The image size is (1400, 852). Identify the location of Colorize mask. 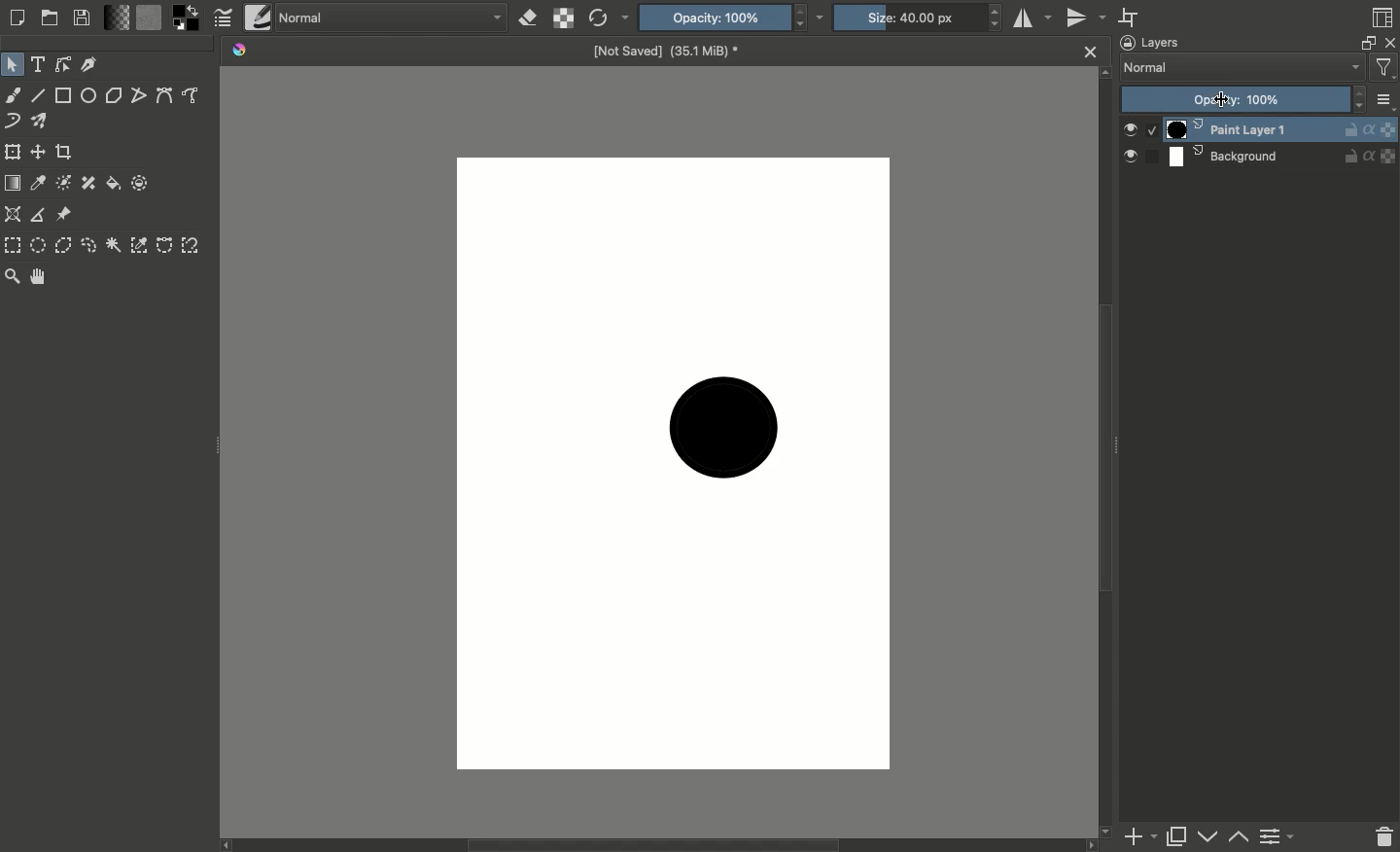
(64, 183).